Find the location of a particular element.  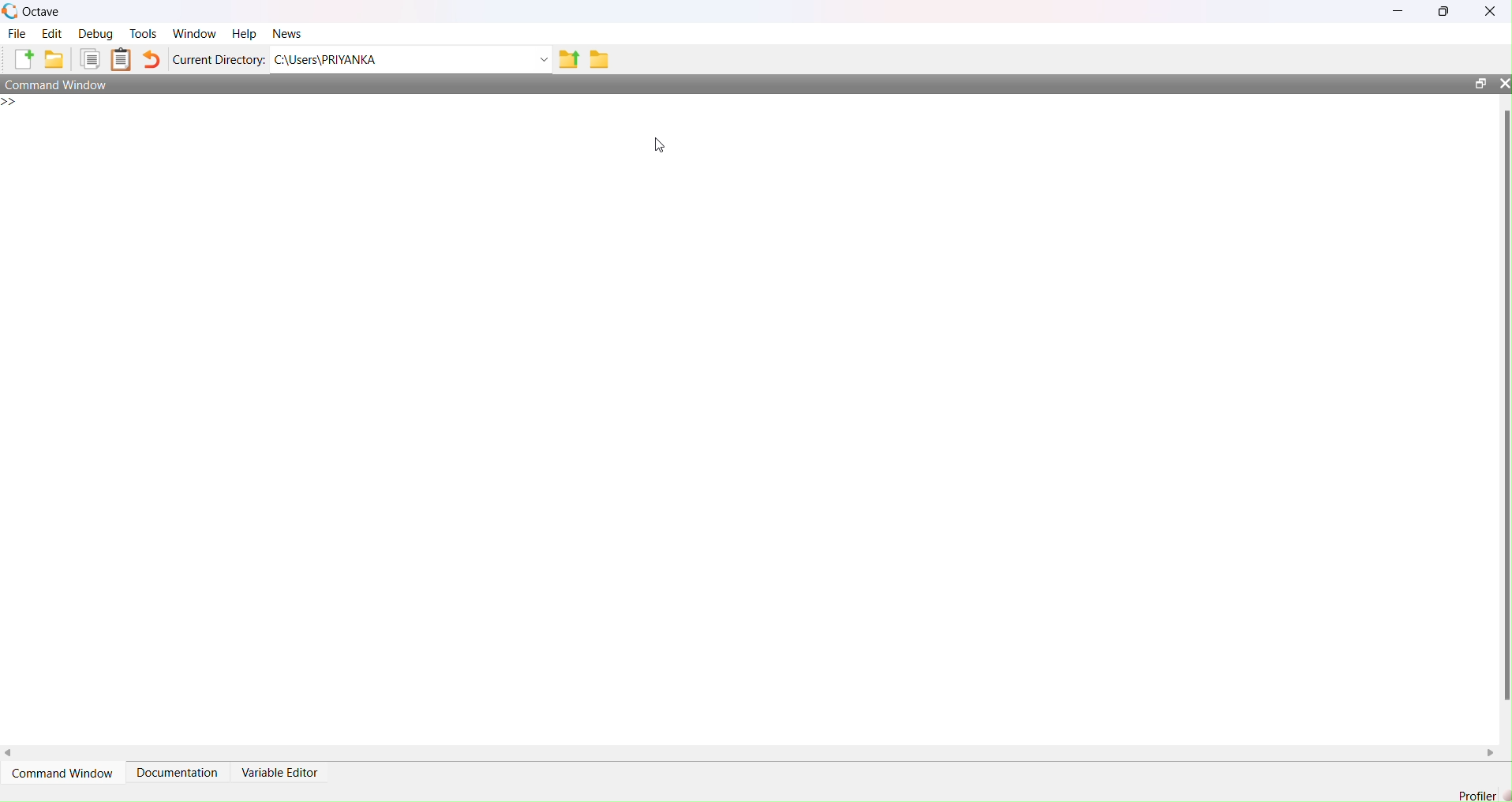

cursor is located at coordinates (659, 148).